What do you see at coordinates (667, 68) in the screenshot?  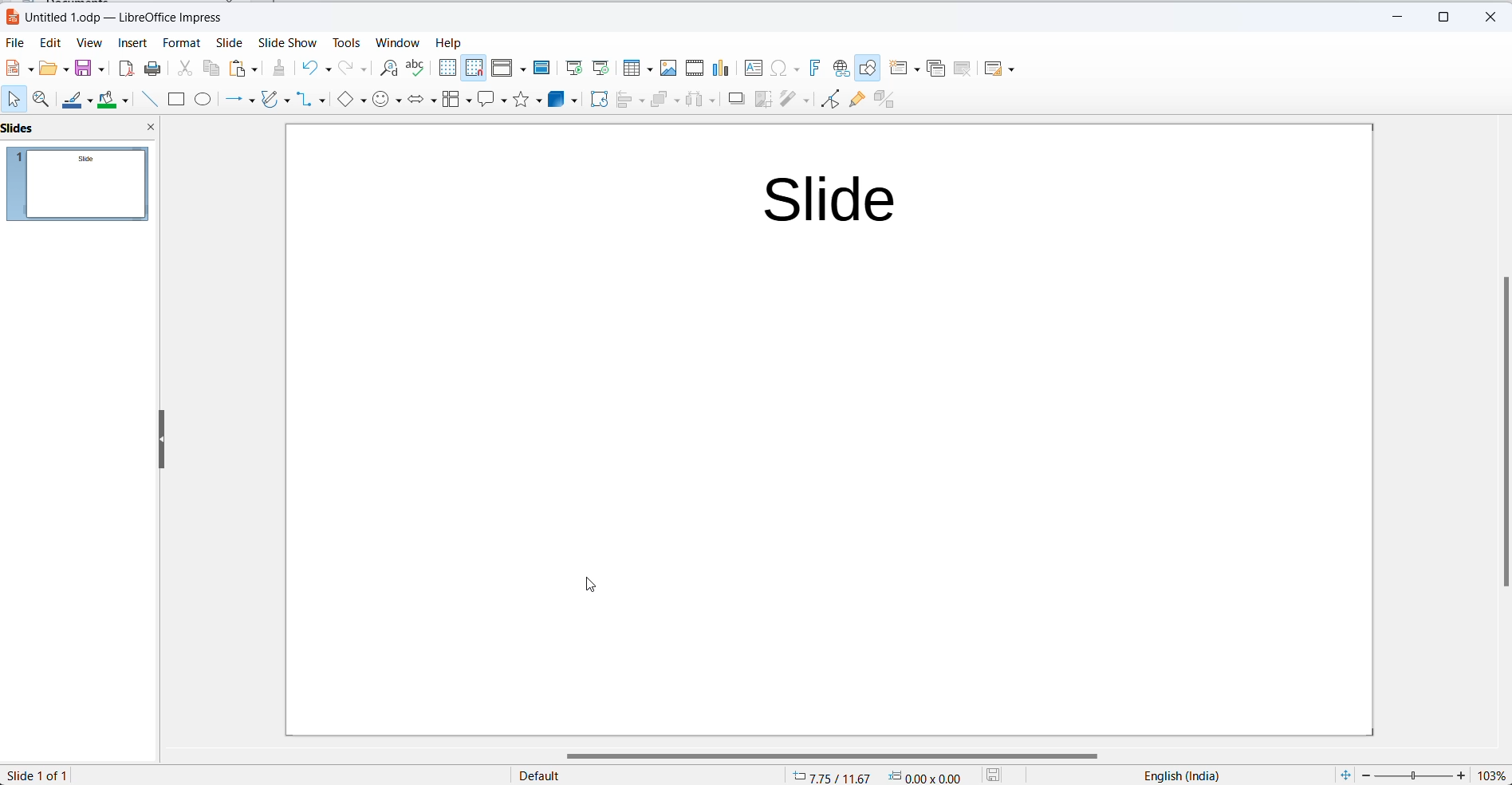 I see `insert images` at bounding box center [667, 68].